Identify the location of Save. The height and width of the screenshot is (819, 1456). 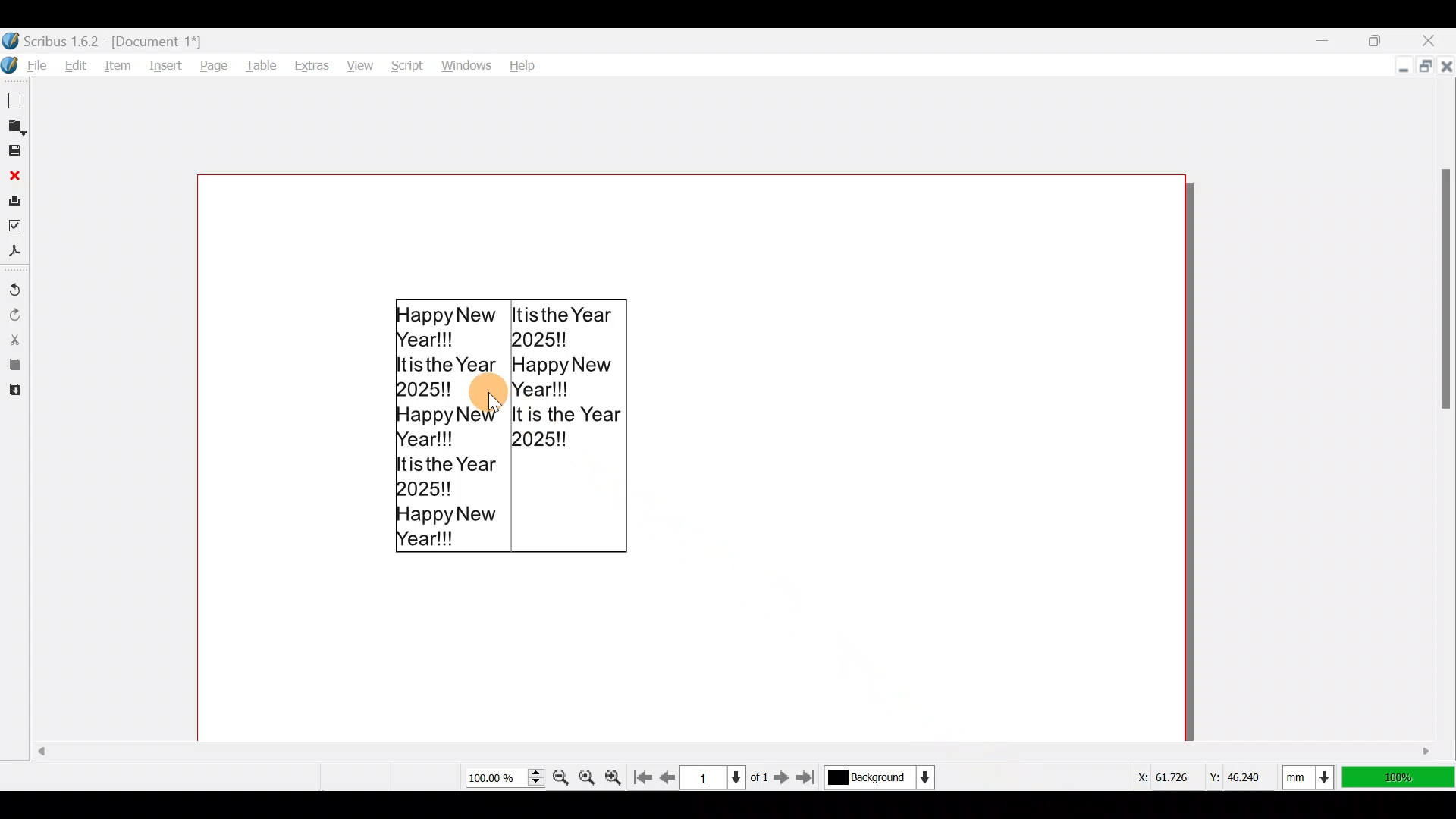
(17, 152).